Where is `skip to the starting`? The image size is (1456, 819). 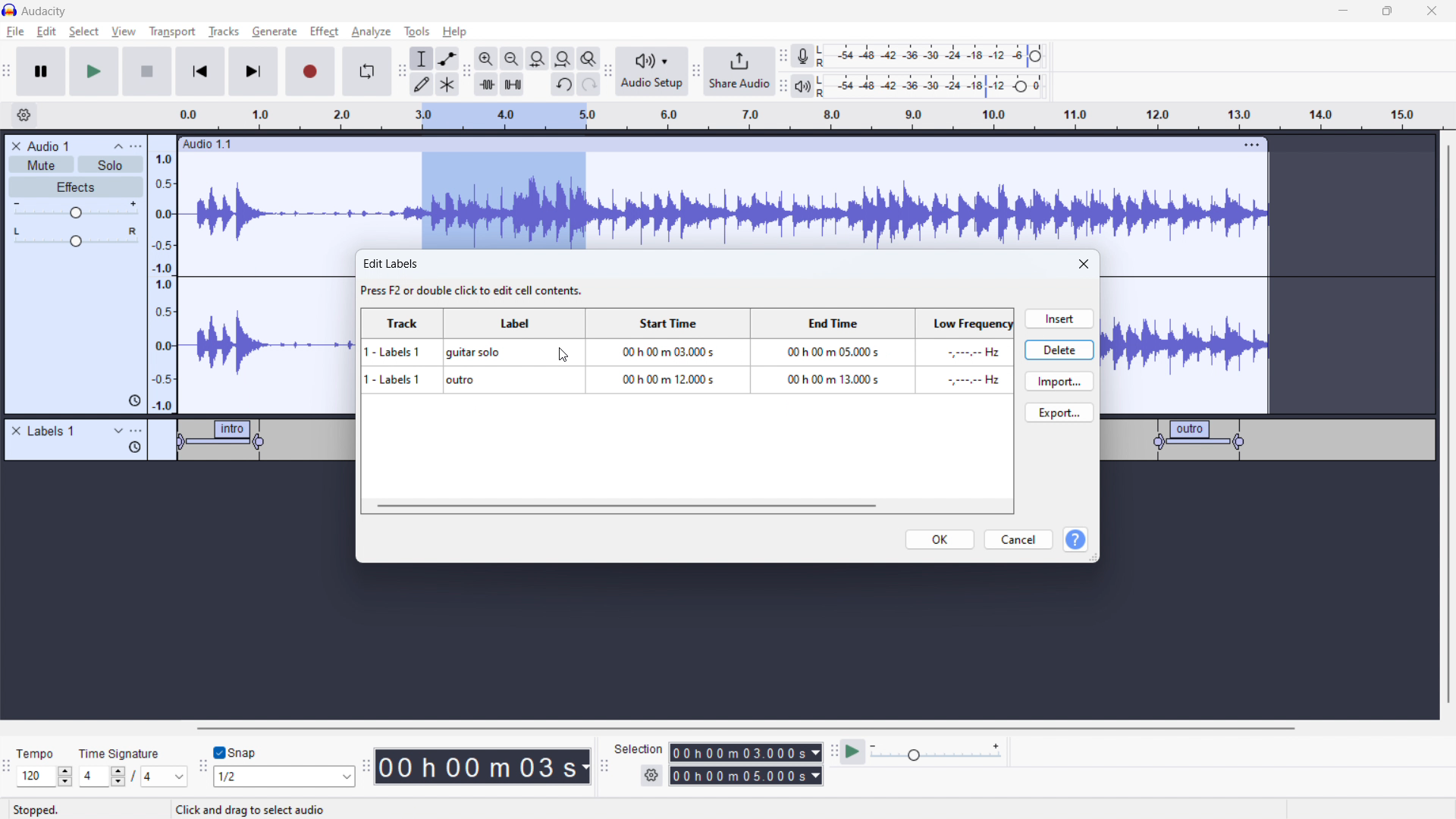 skip to the starting is located at coordinates (199, 72).